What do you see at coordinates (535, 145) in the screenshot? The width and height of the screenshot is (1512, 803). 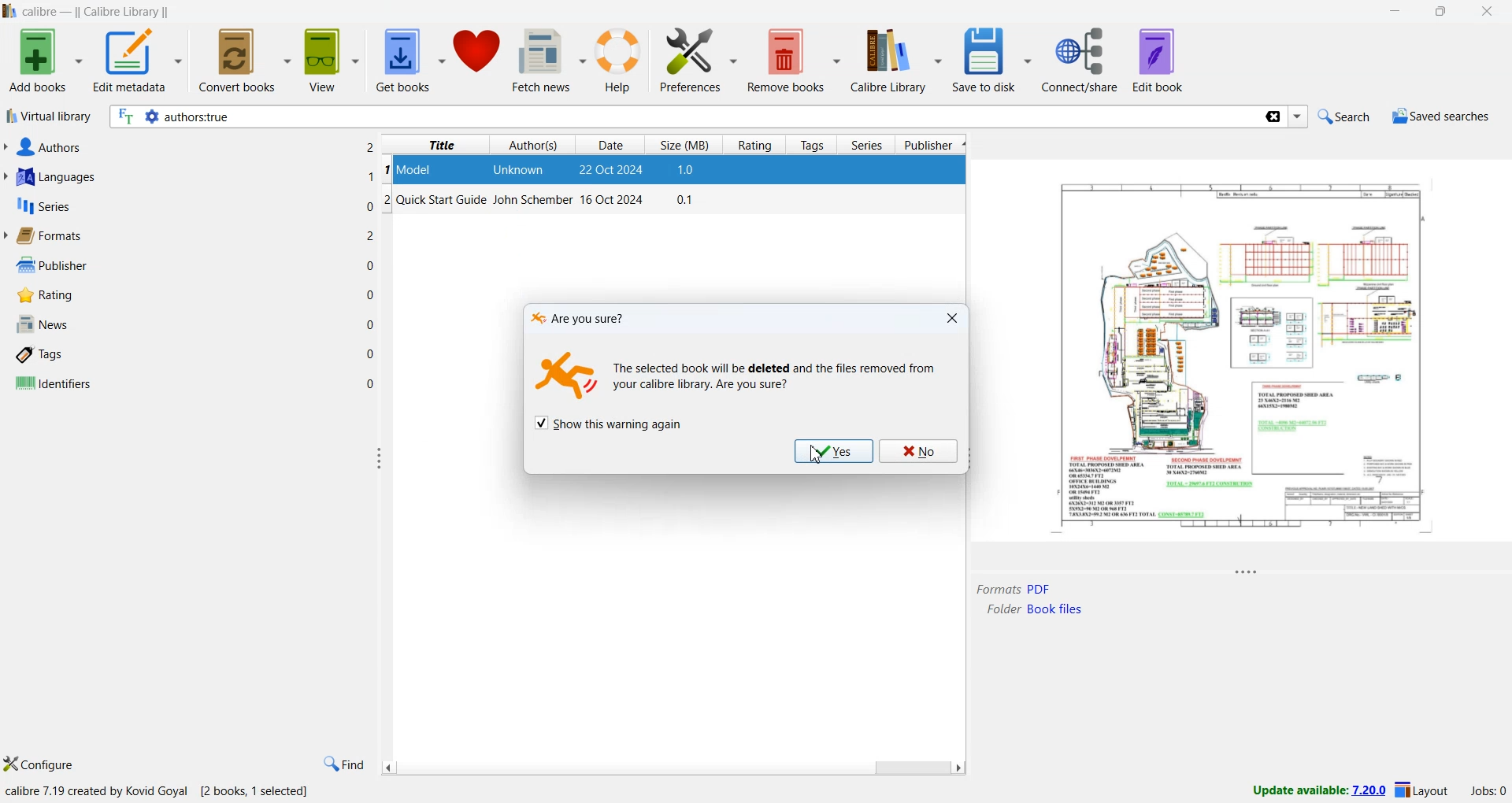 I see `authors` at bounding box center [535, 145].